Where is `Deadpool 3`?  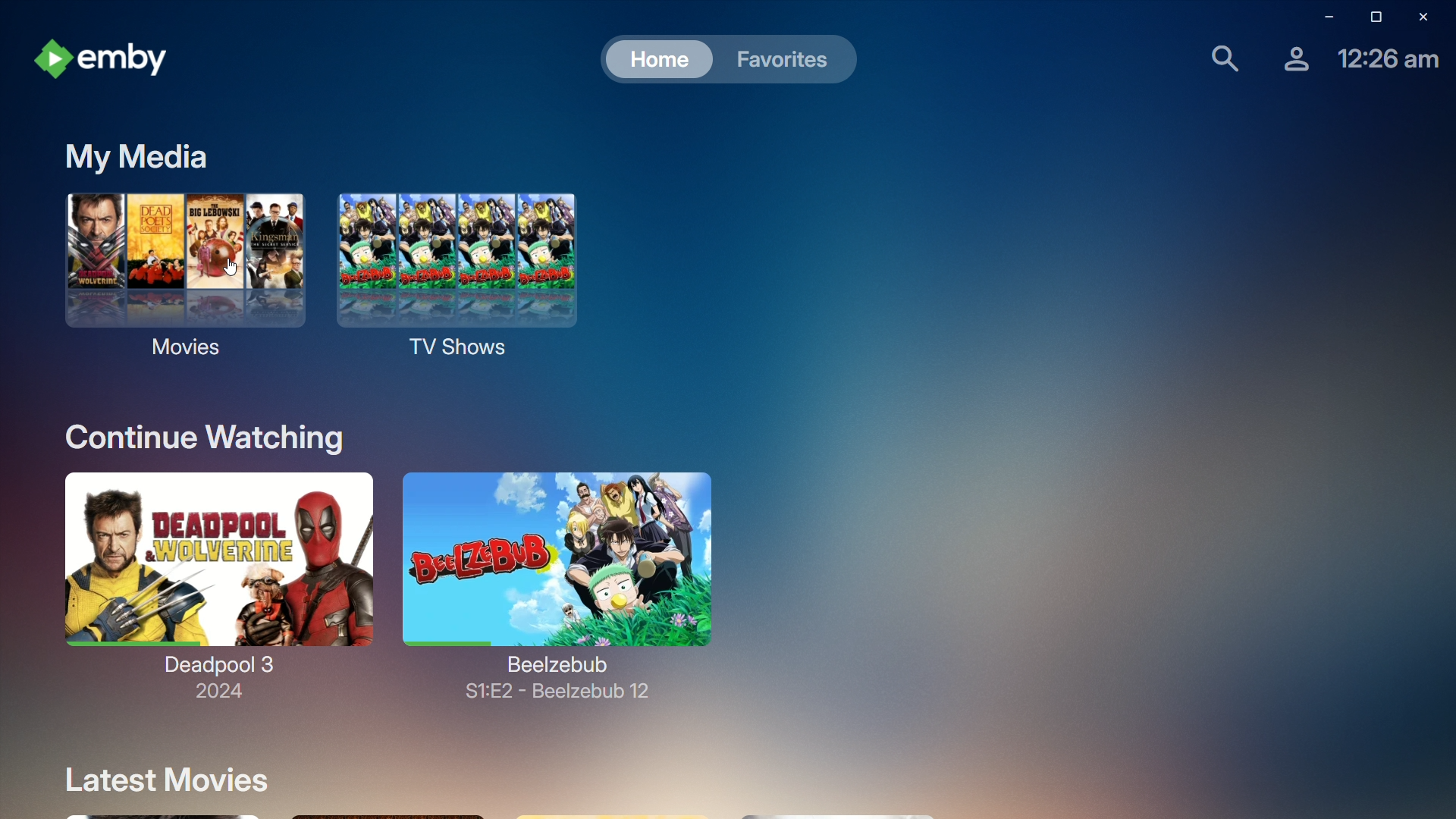
Deadpool 3 is located at coordinates (212, 573).